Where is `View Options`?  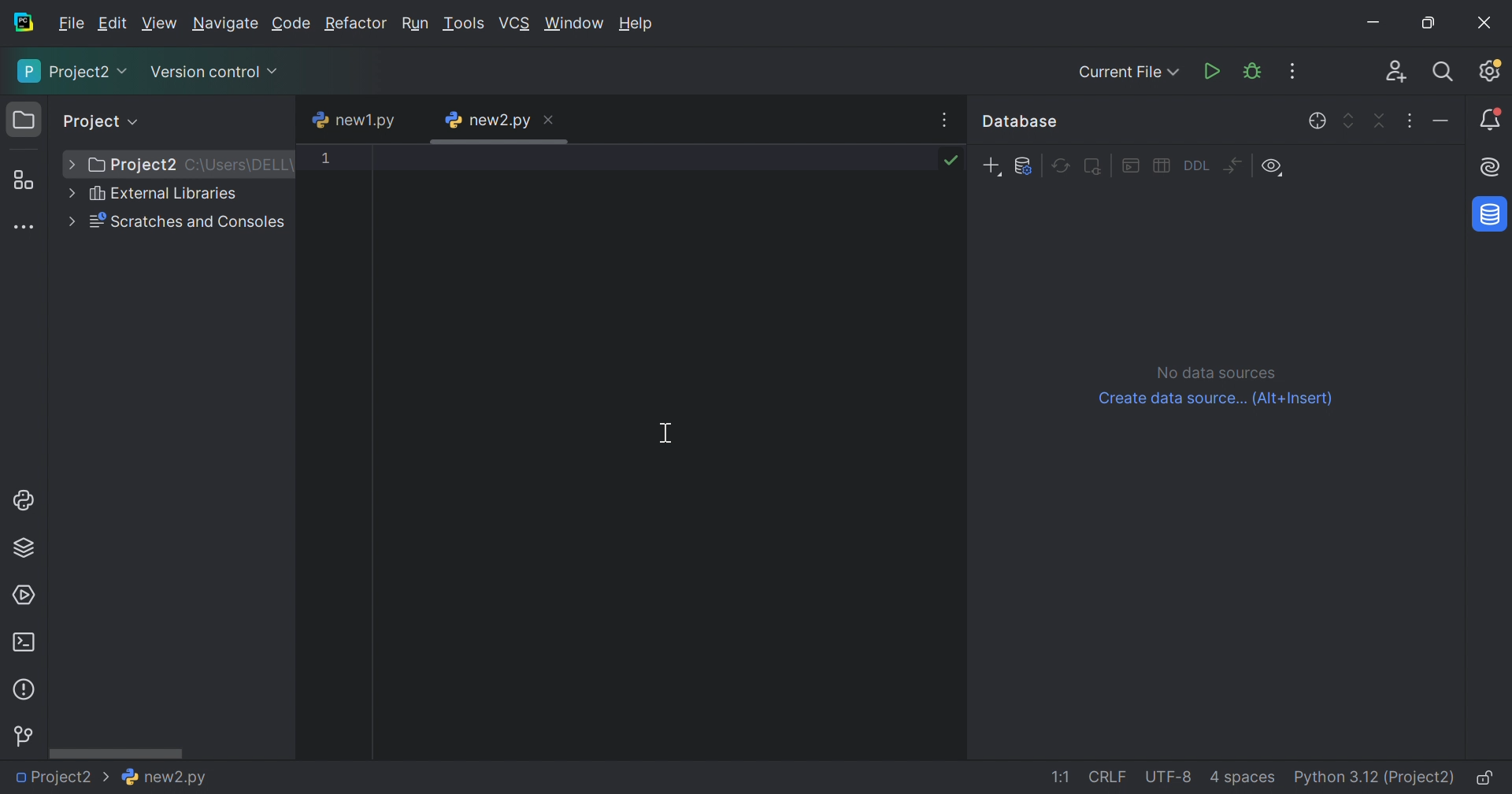 View Options is located at coordinates (1273, 169).